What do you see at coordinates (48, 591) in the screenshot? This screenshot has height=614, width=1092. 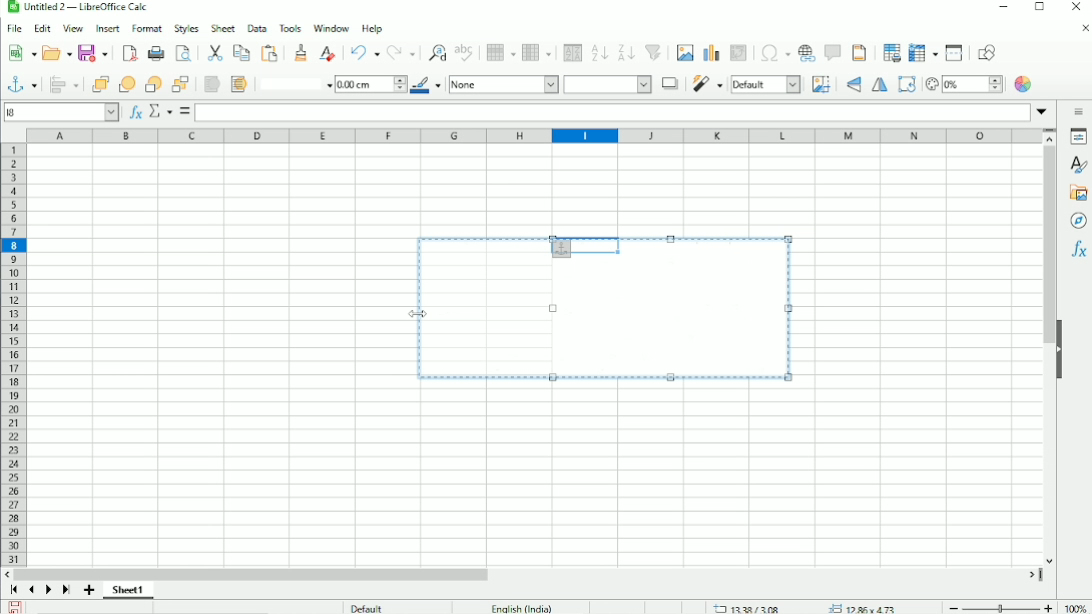 I see `Scroll to next sheet` at bounding box center [48, 591].